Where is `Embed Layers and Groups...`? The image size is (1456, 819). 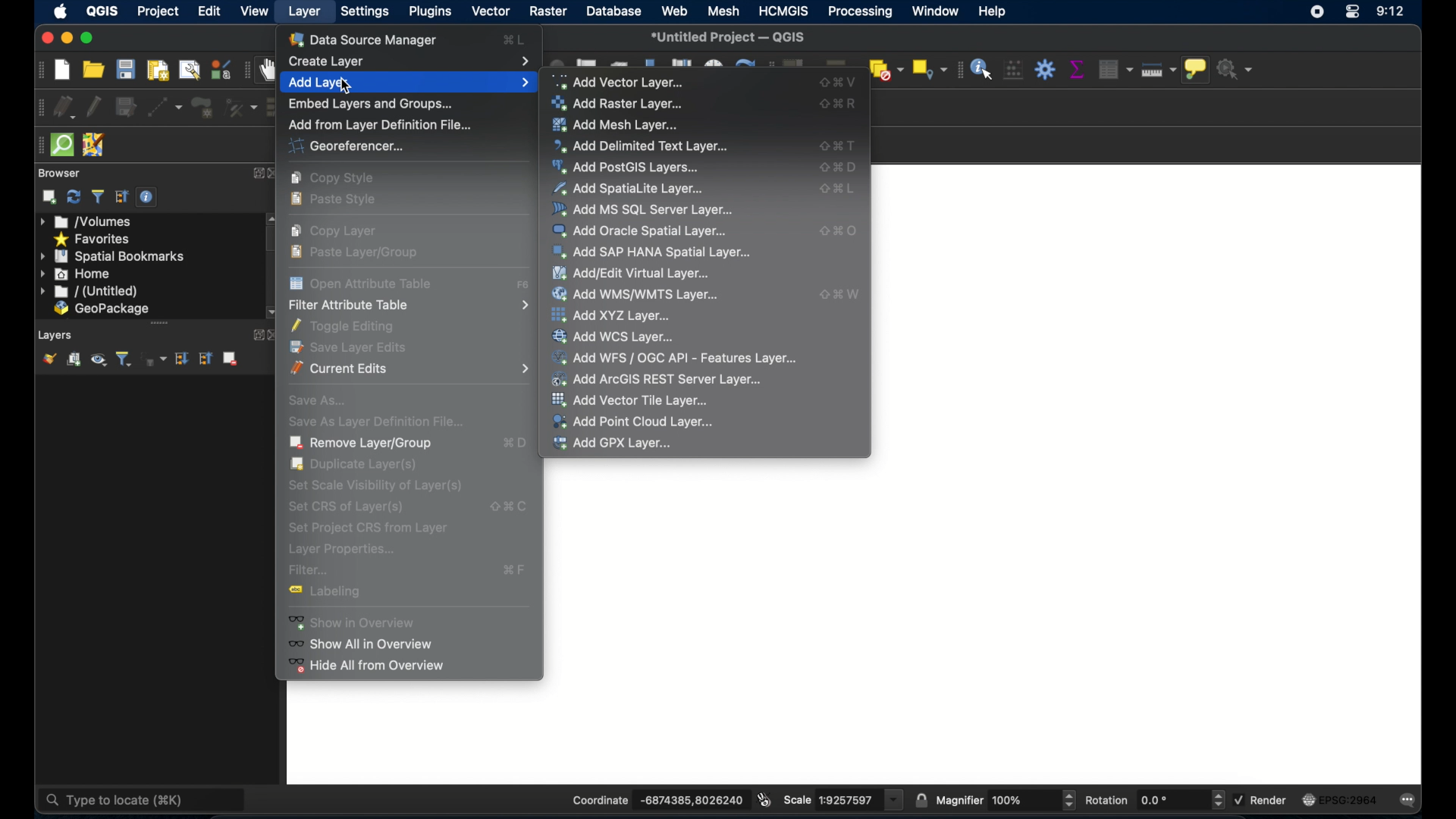 Embed Layers and Groups... is located at coordinates (381, 103).